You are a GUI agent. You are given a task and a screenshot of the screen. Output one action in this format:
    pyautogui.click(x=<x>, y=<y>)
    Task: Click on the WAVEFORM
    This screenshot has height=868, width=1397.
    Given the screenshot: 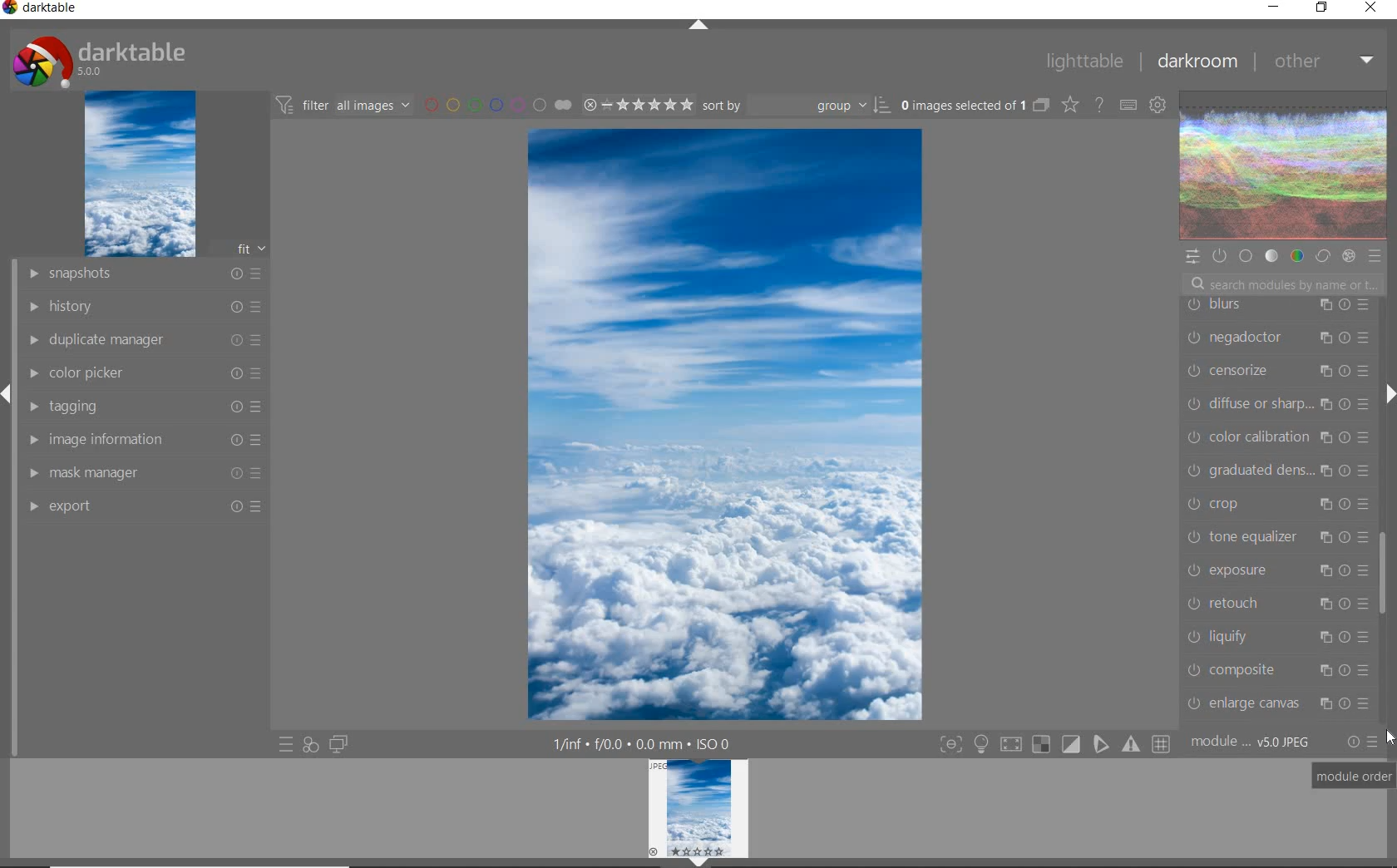 What is the action you would take?
    pyautogui.click(x=1284, y=166)
    